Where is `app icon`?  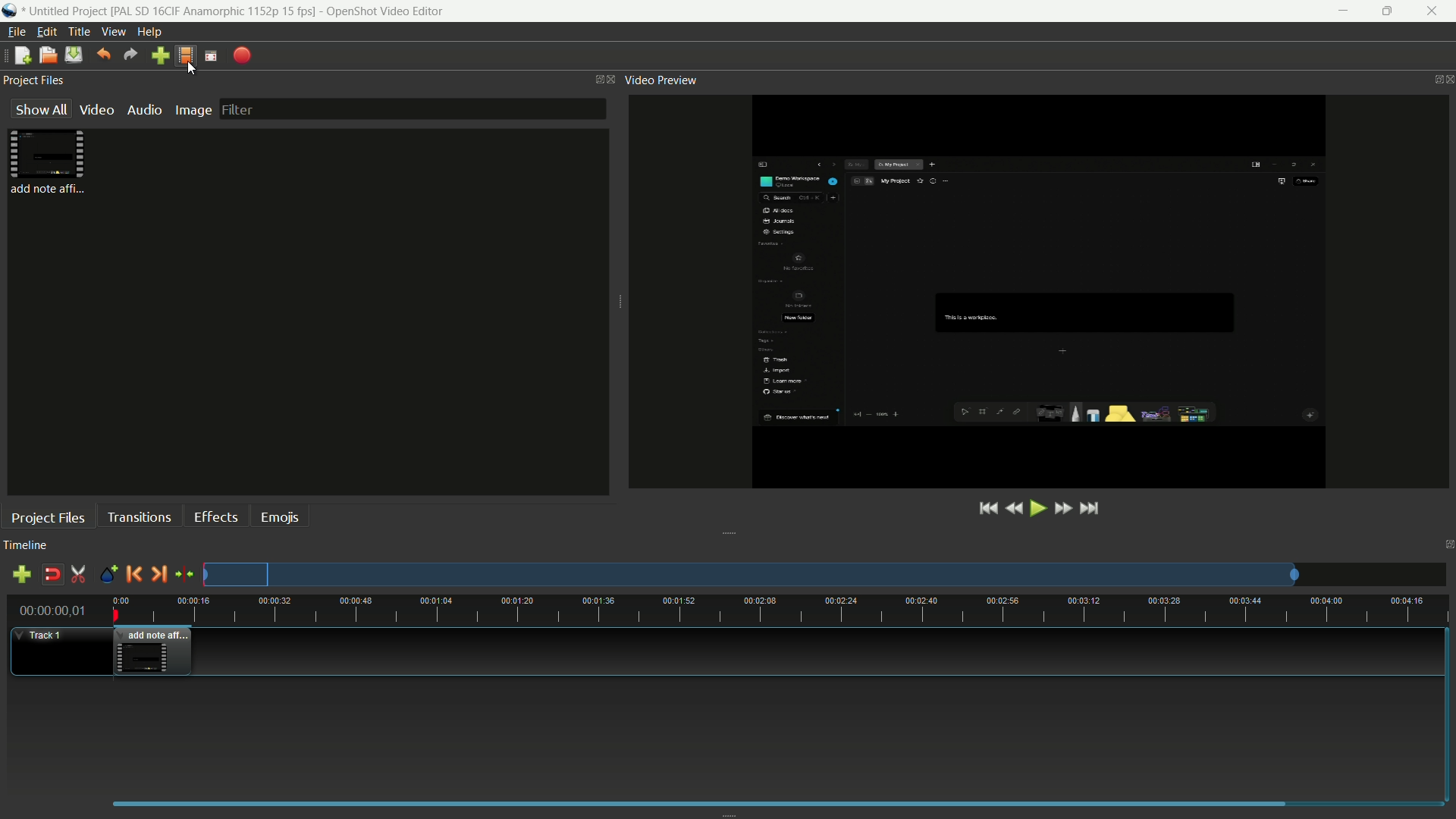 app icon is located at coordinates (12, 11).